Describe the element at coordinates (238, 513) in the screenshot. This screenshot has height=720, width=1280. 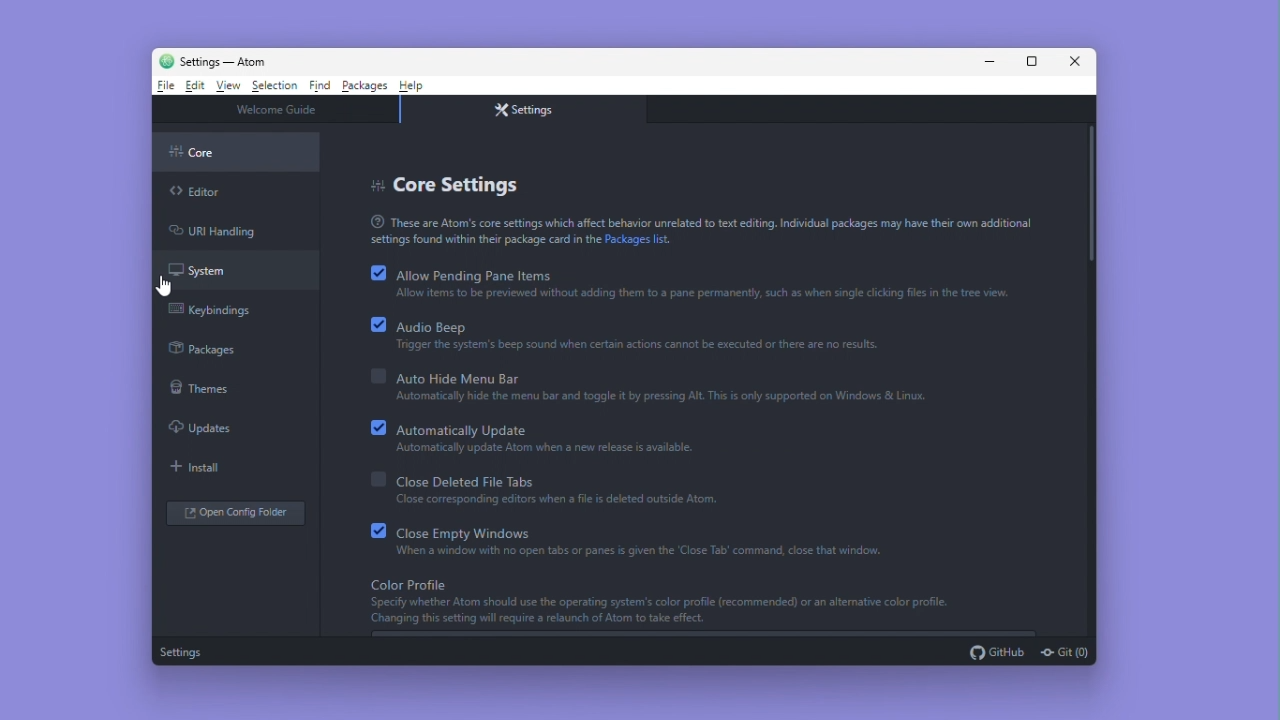
I see `Open config folder` at that location.